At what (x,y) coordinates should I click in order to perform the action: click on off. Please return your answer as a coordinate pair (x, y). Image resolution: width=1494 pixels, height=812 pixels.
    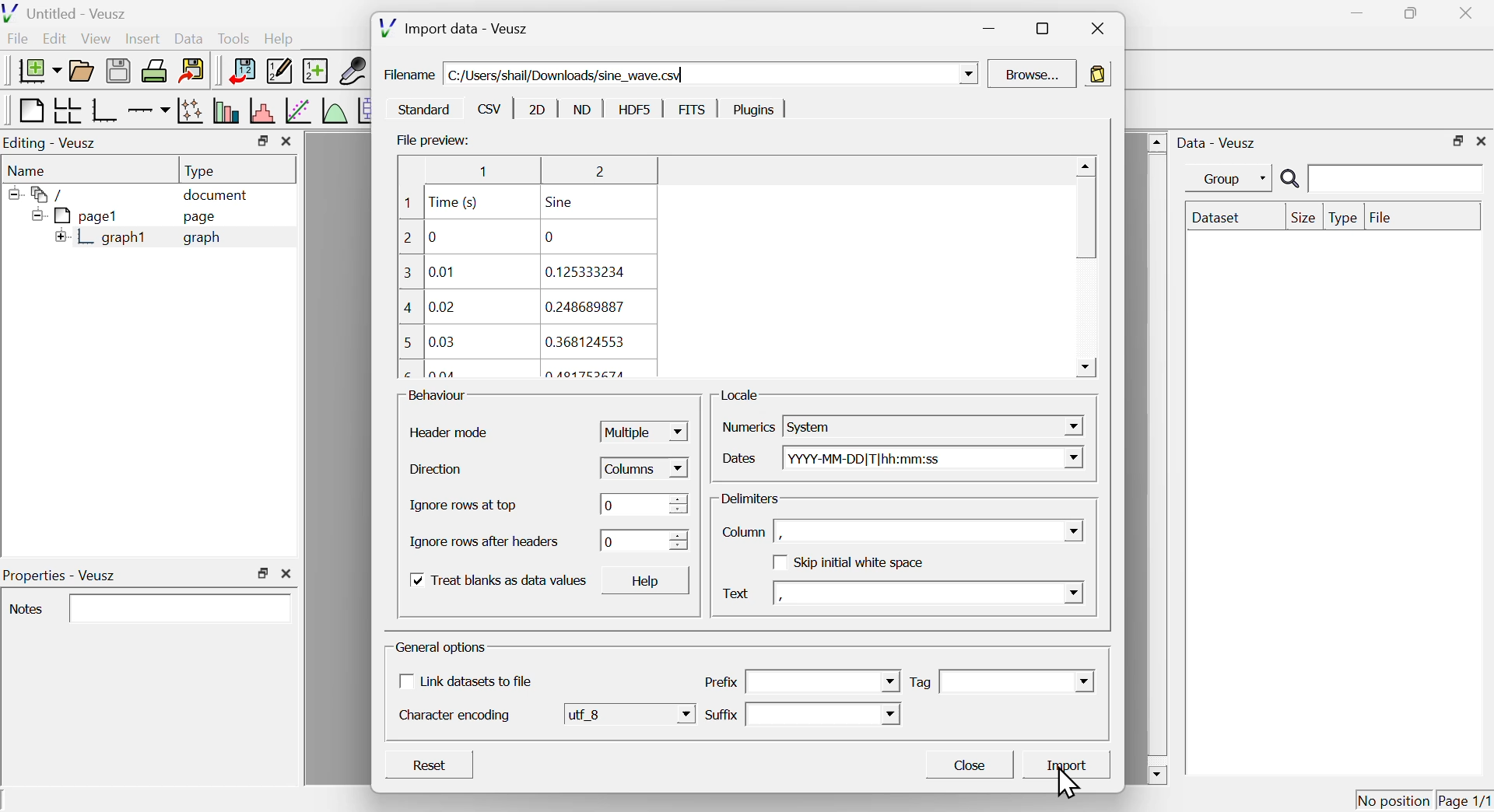
    Looking at the image, I should click on (778, 563).